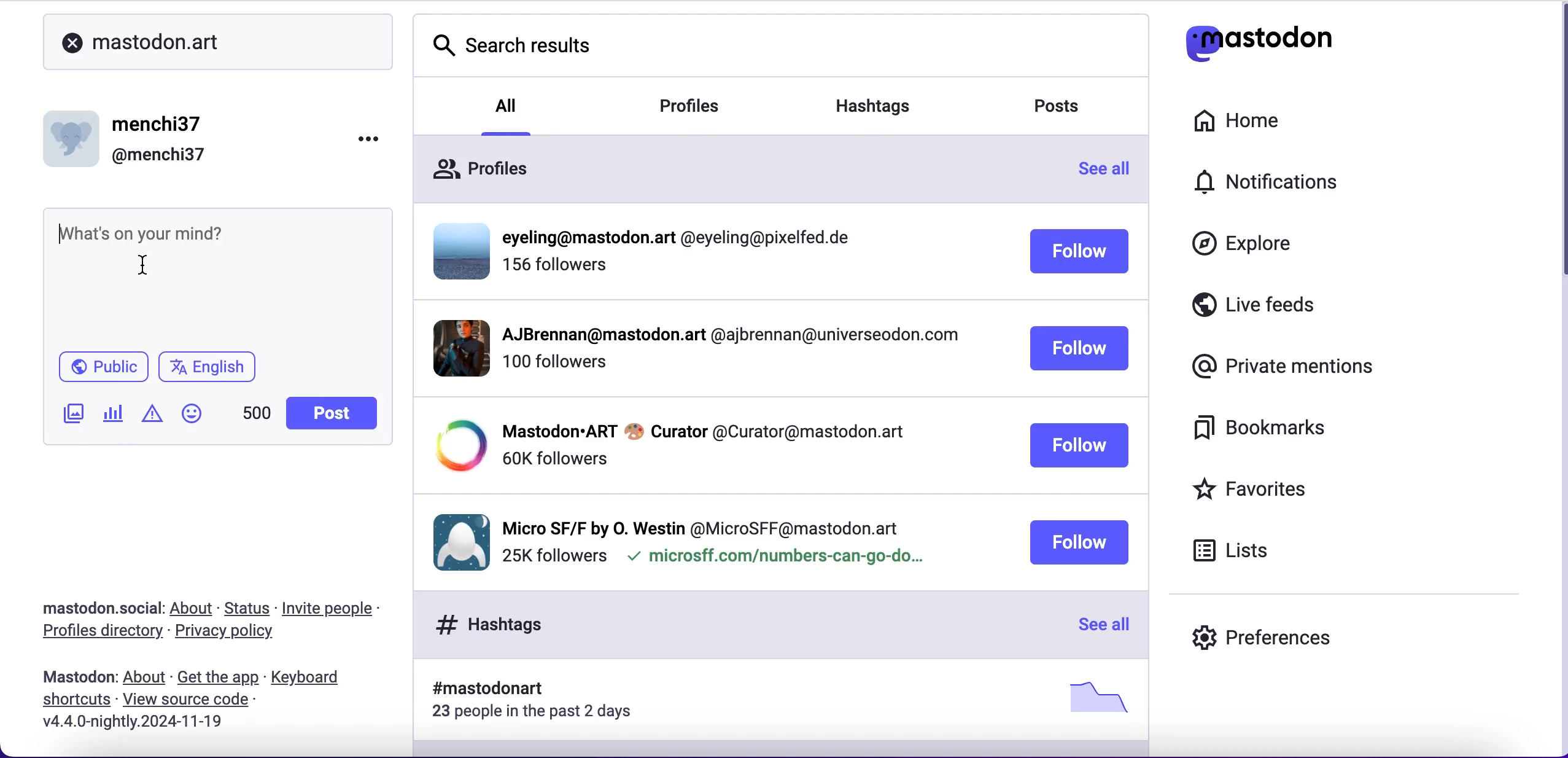 The width and height of the screenshot is (1568, 758). Describe the element at coordinates (256, 413) in the screenshot. I see `characters` at that location.